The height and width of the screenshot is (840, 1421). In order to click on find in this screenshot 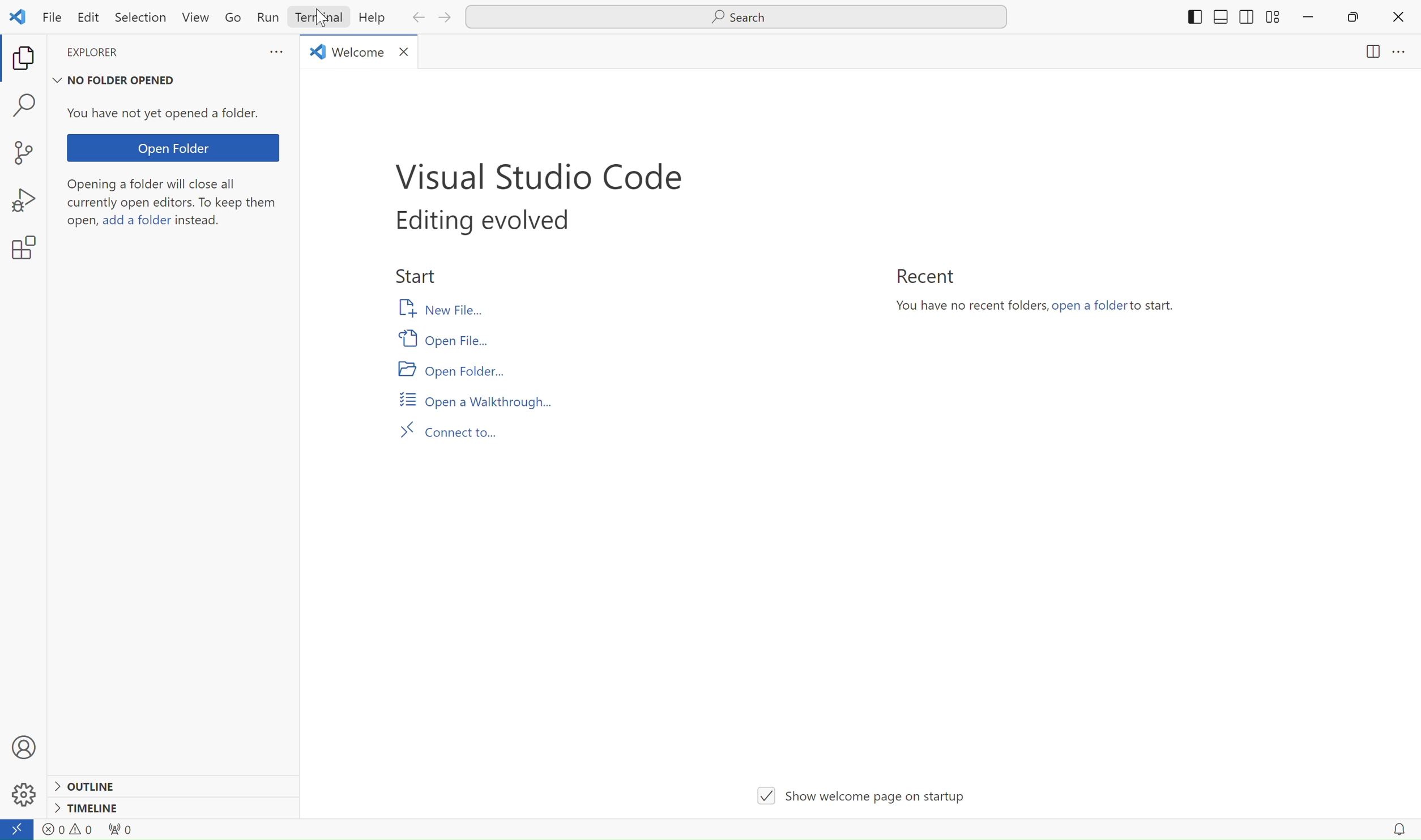, I will do `click(29, 107)`.